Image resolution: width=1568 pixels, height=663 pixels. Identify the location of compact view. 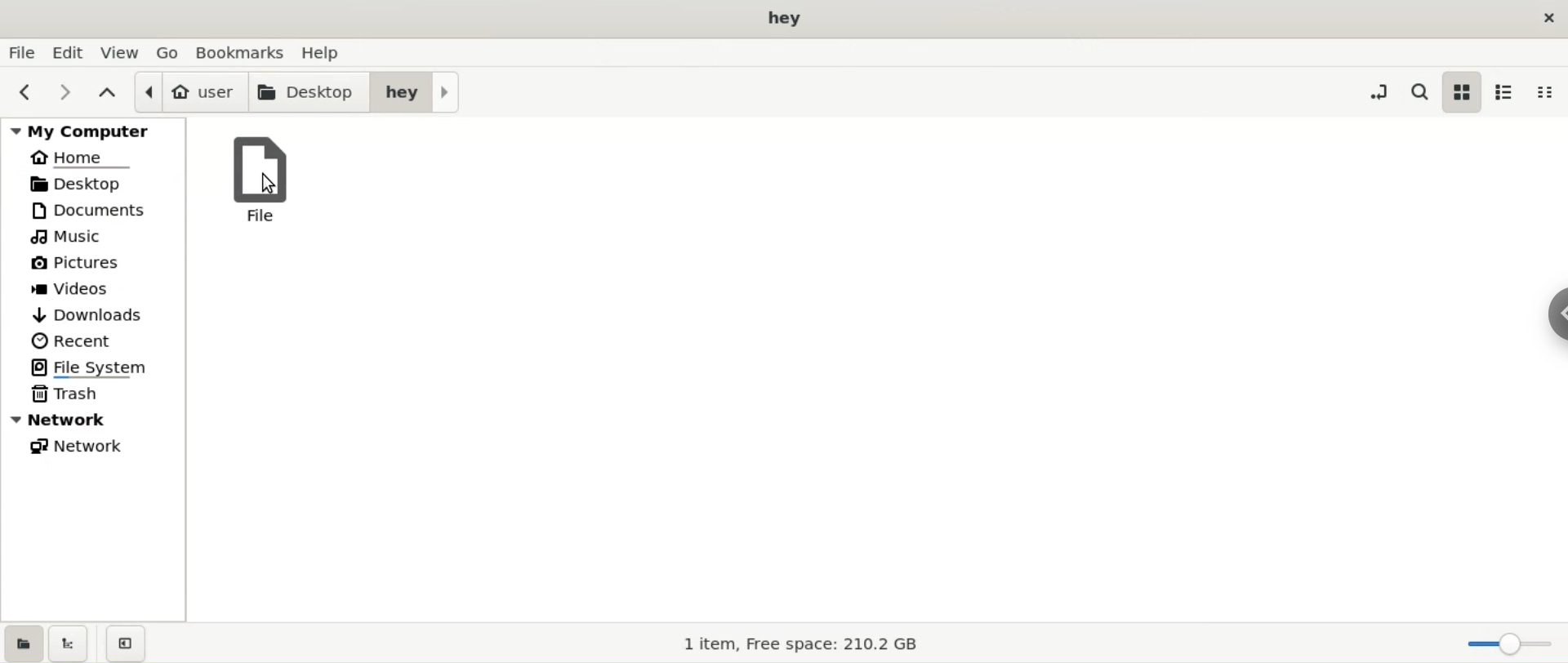
(1549, 92).